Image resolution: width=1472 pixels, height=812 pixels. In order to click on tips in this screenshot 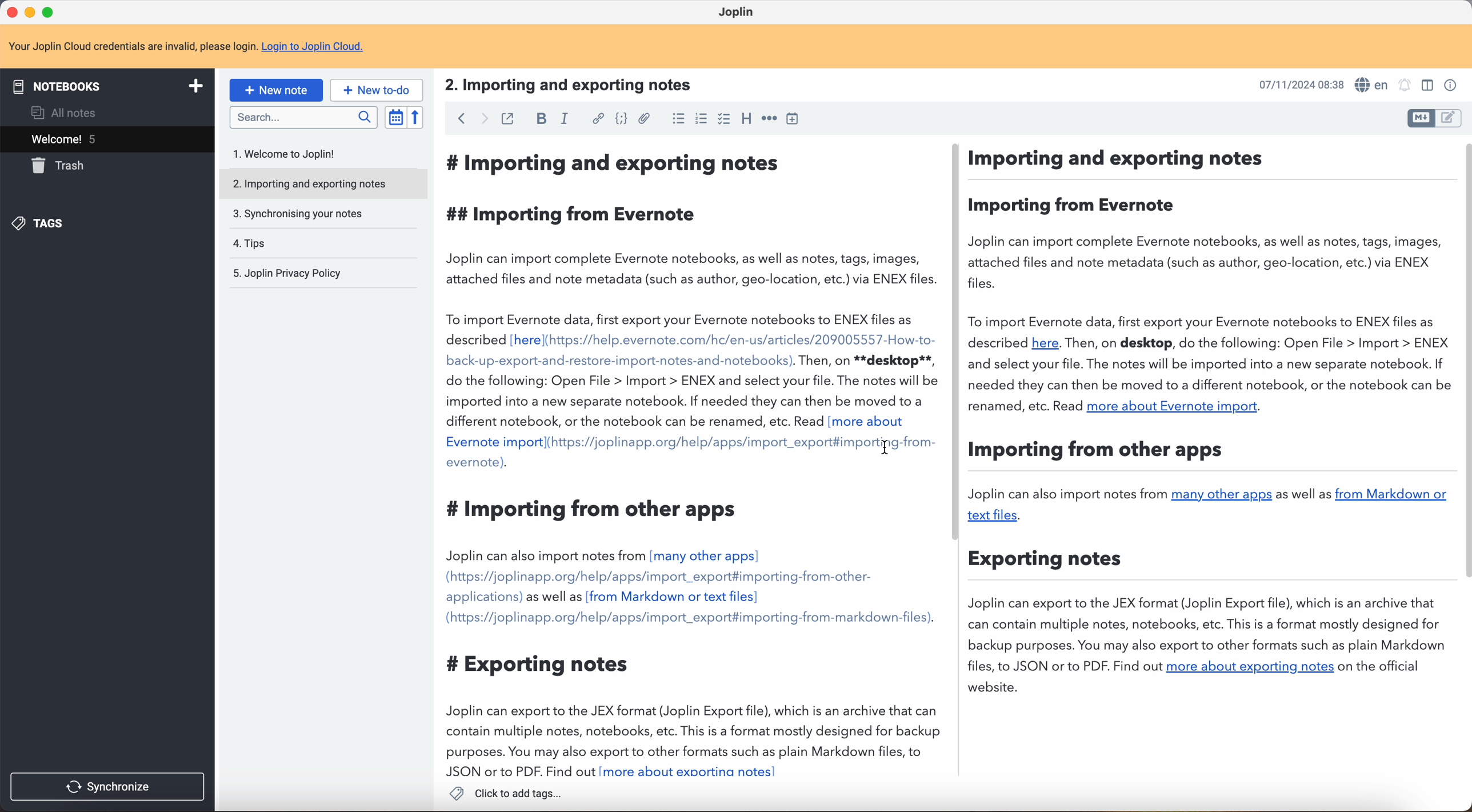, I will do `click(253, 242)`.